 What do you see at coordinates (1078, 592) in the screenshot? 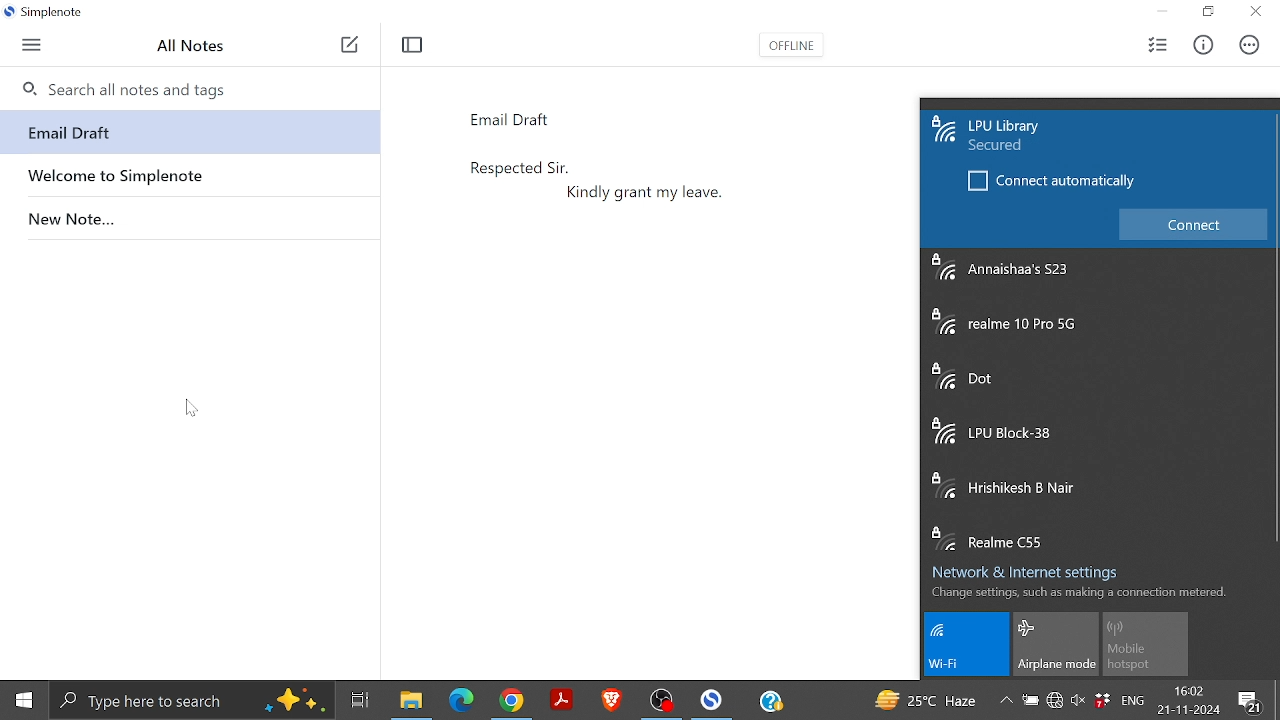
I see `Change settings, such as making a connection metered.` at bounding box center [1078, 592].